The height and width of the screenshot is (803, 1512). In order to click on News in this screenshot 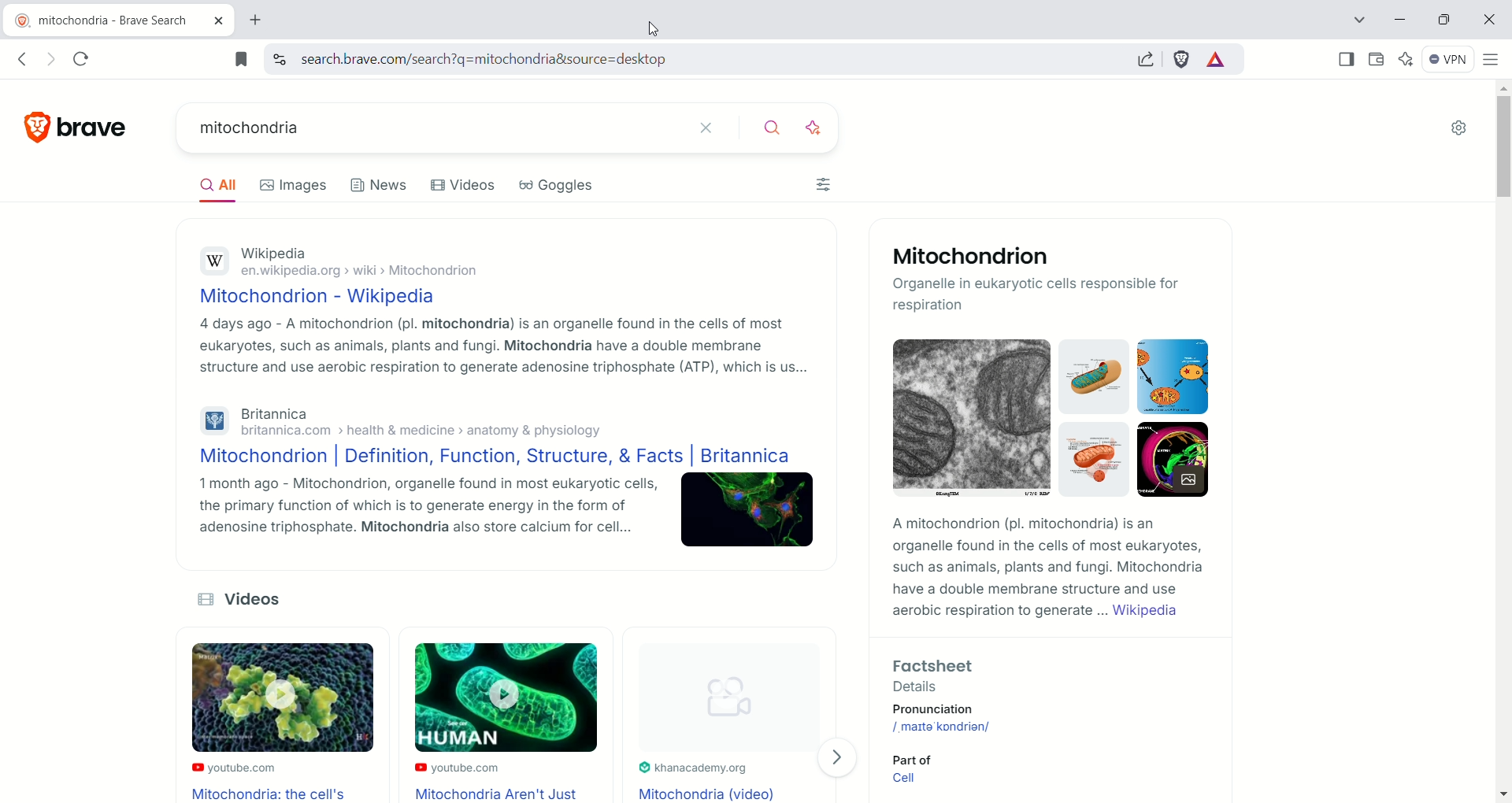, I will do `click(382, 186)`.